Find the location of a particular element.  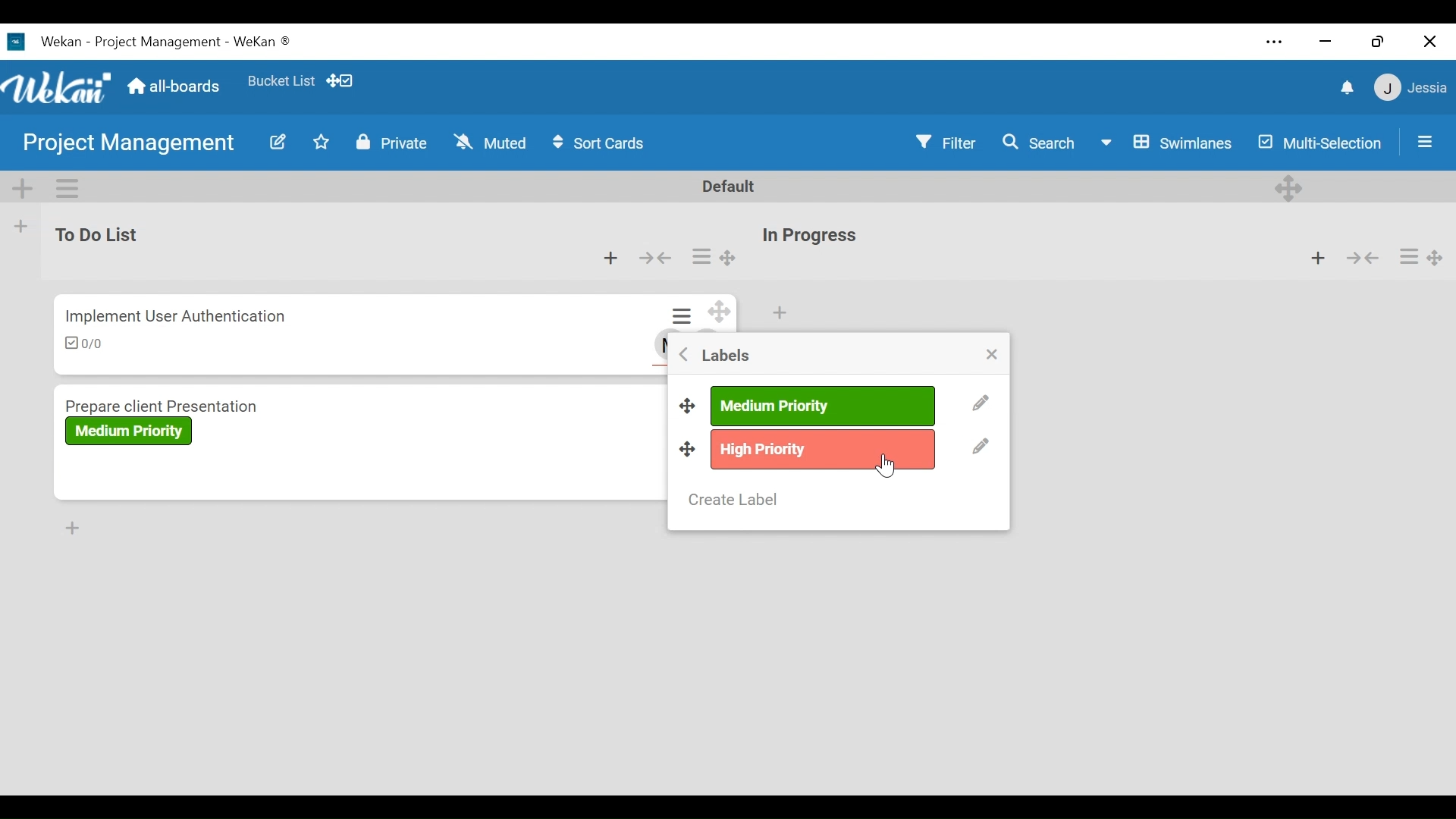

Wekan logo is located at coordinates (58, 86).